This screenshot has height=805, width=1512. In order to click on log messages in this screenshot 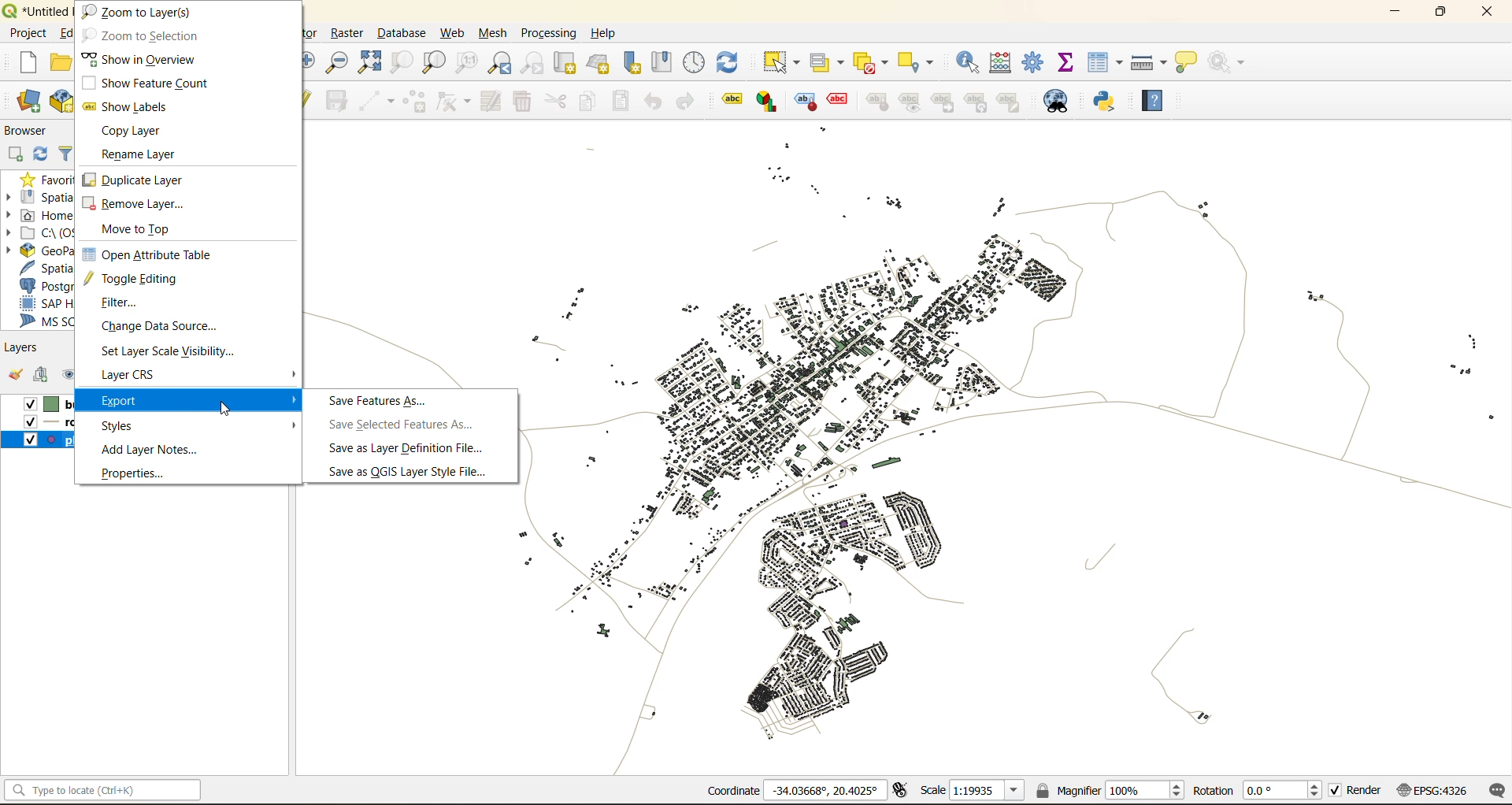, I will do `click(1495, 791)`.